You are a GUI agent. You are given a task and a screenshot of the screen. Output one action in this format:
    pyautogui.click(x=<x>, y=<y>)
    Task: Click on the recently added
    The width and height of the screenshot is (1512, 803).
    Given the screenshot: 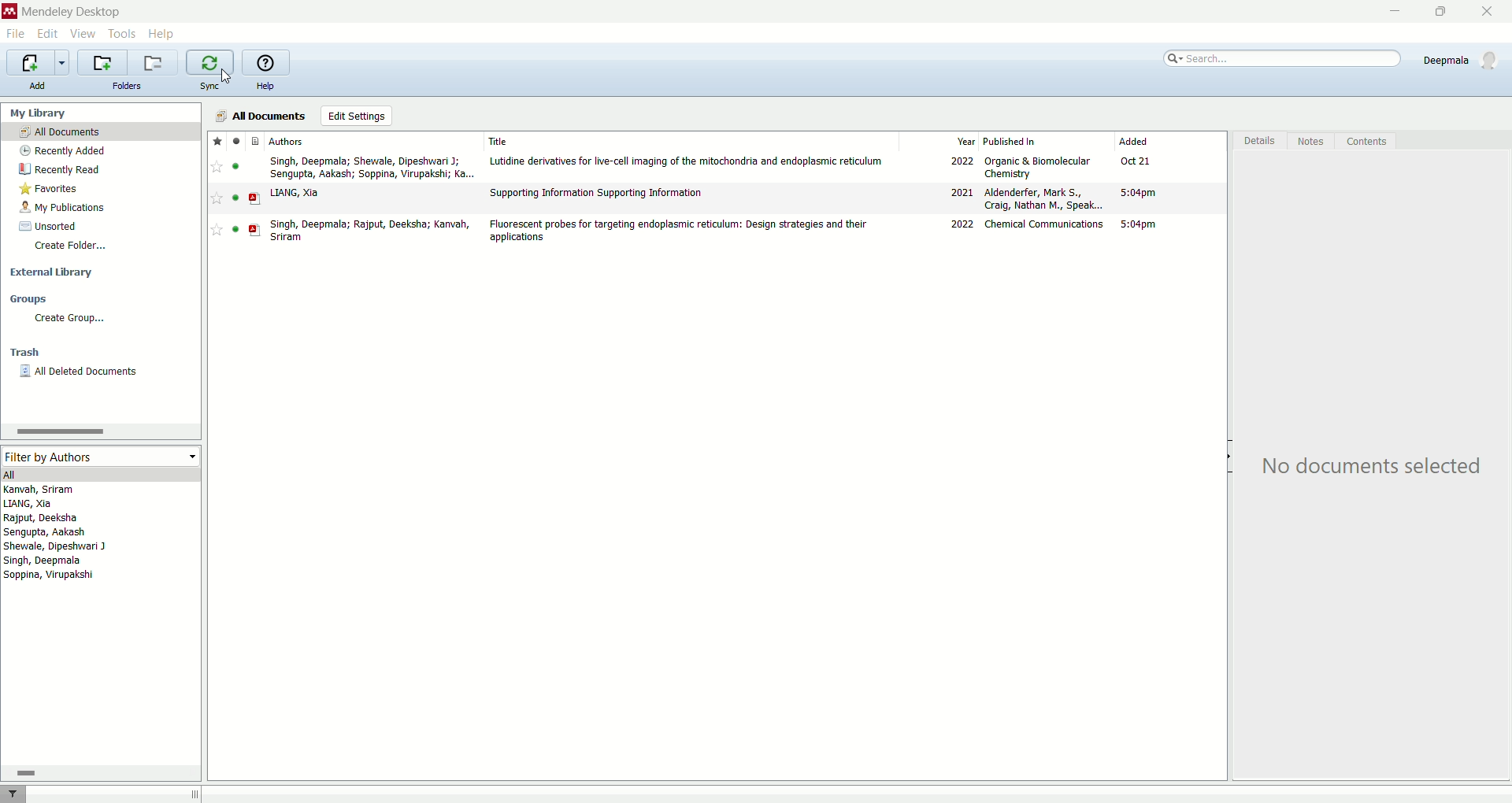 What is the action you would take?
    pyautogui.click(x=61, y=150)
    